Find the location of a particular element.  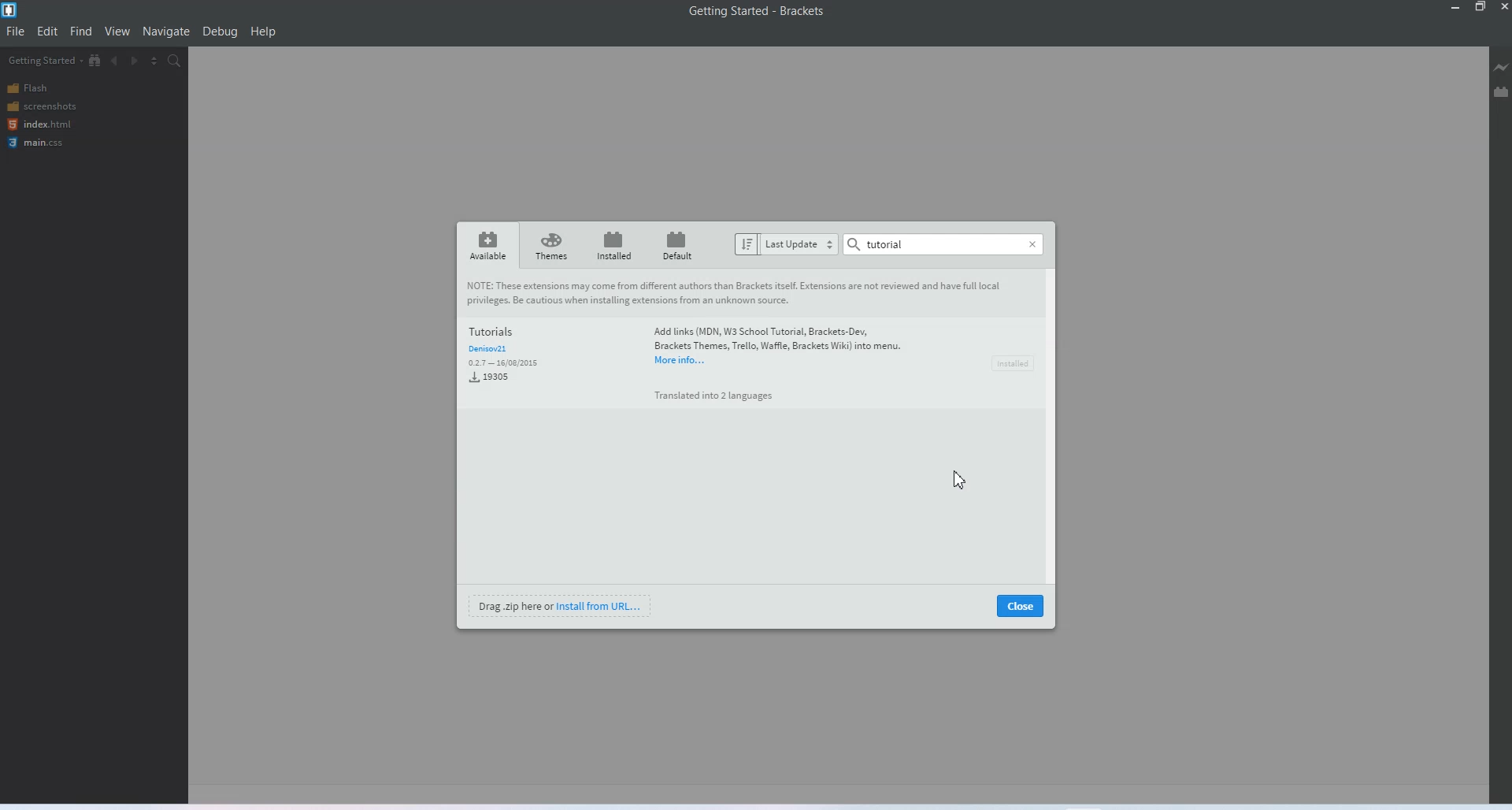

Help is located at coordinates (264, 32).